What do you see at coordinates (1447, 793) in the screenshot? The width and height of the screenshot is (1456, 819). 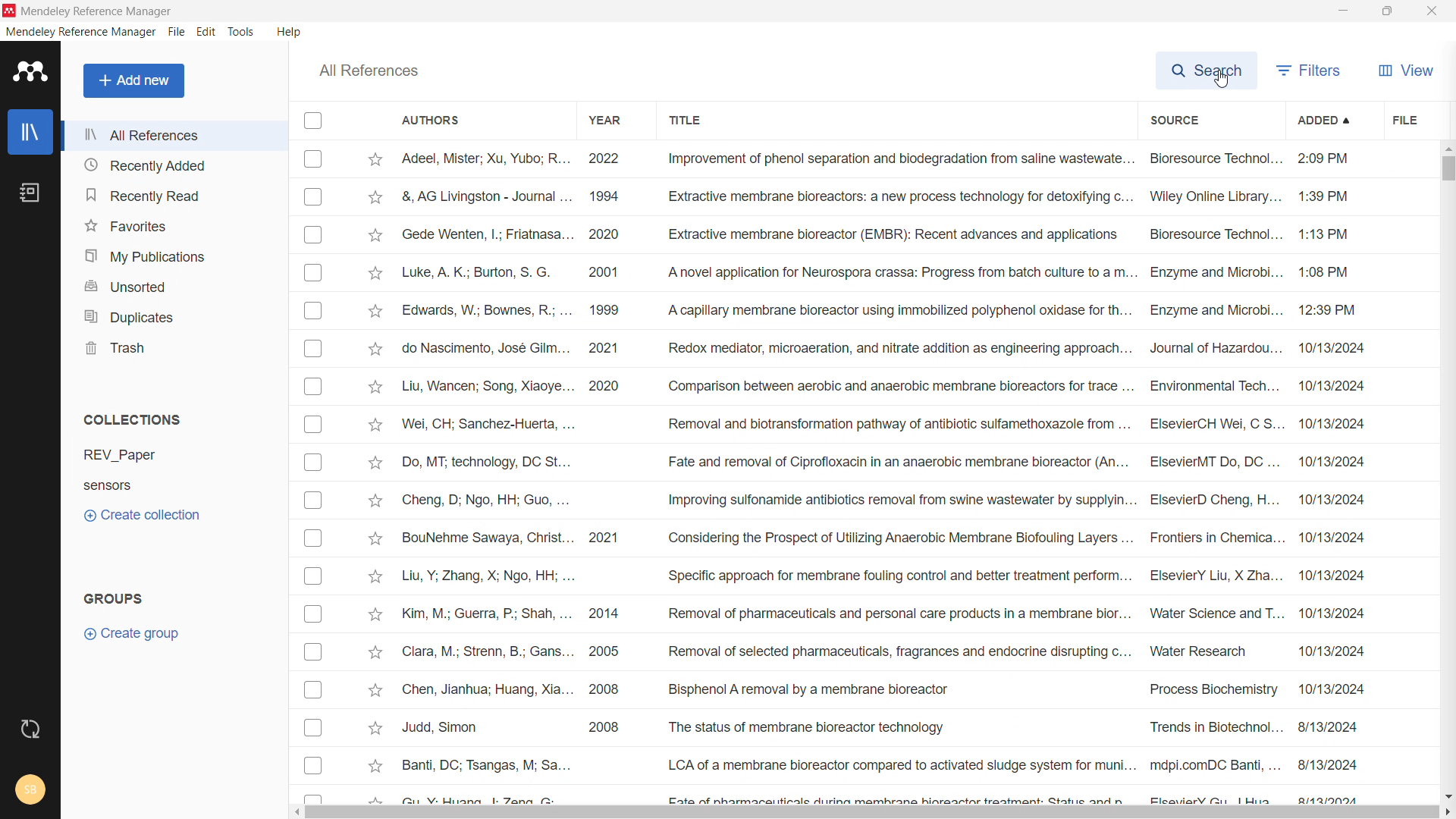 I see `scroll down` at bounding box center [1447, 793].